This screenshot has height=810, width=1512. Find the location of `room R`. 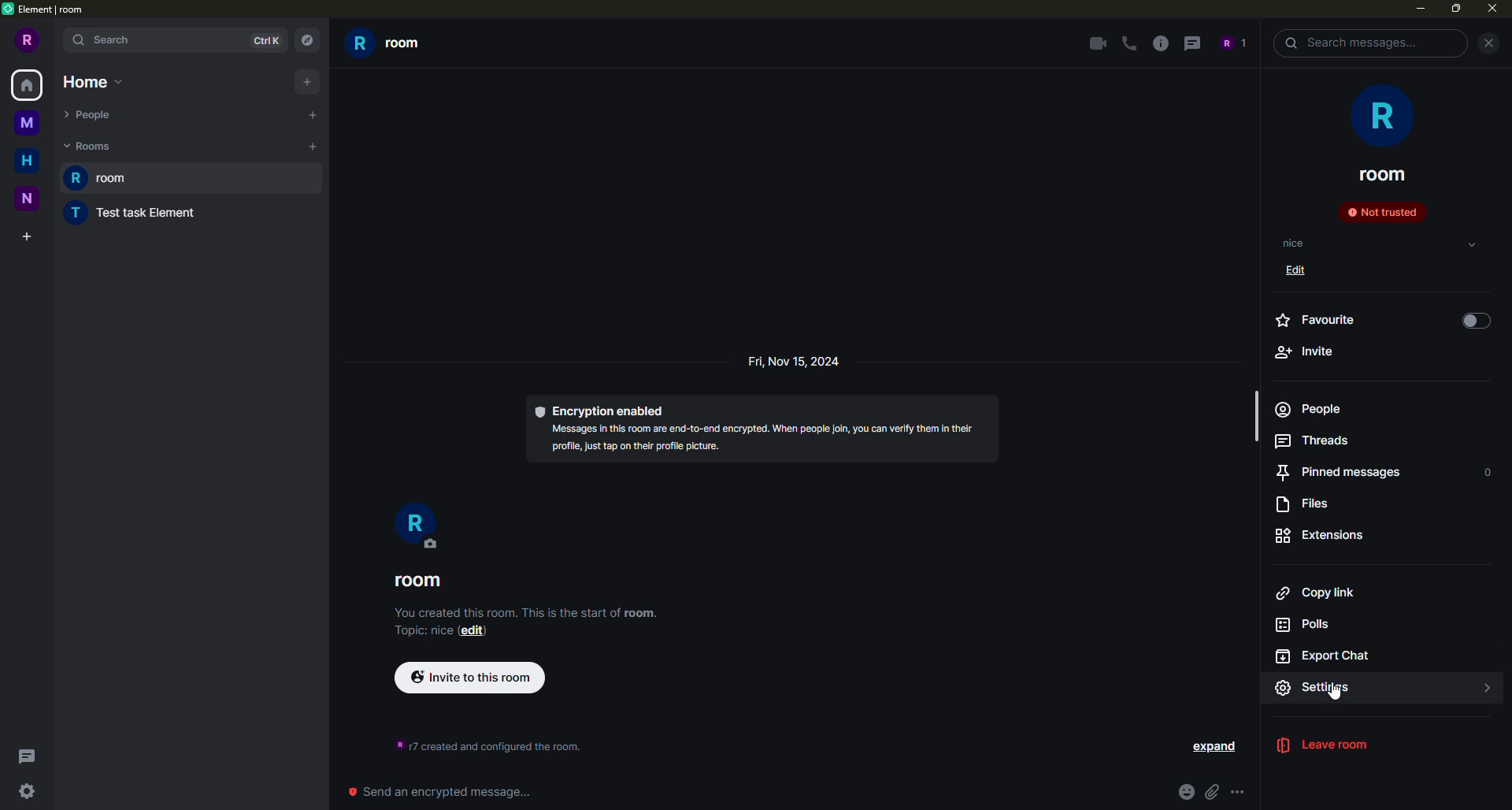

room R is located at coordinates (195, 178).